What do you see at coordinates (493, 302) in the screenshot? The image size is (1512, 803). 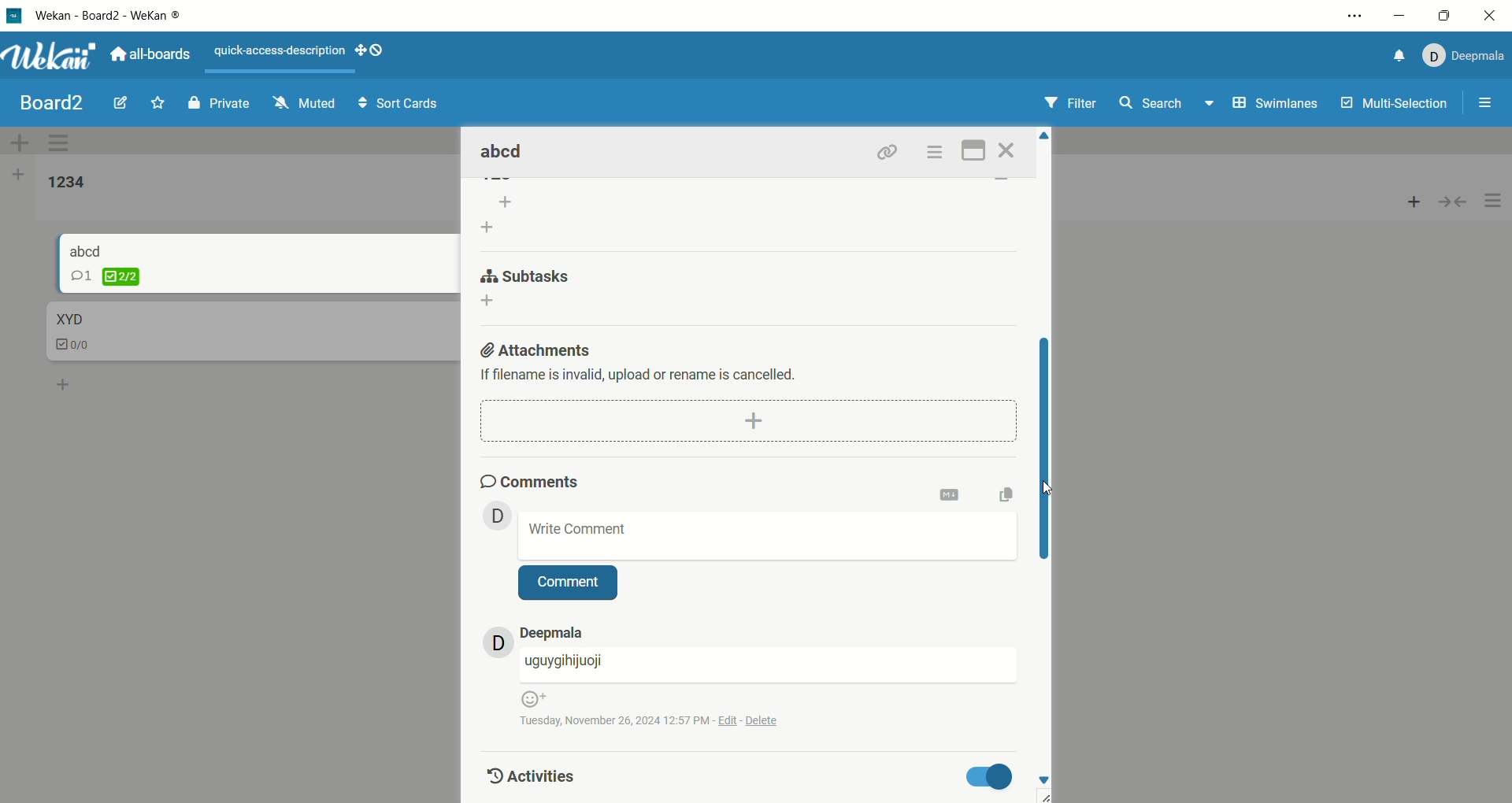 I see `add` at bounding box center [493, 302].